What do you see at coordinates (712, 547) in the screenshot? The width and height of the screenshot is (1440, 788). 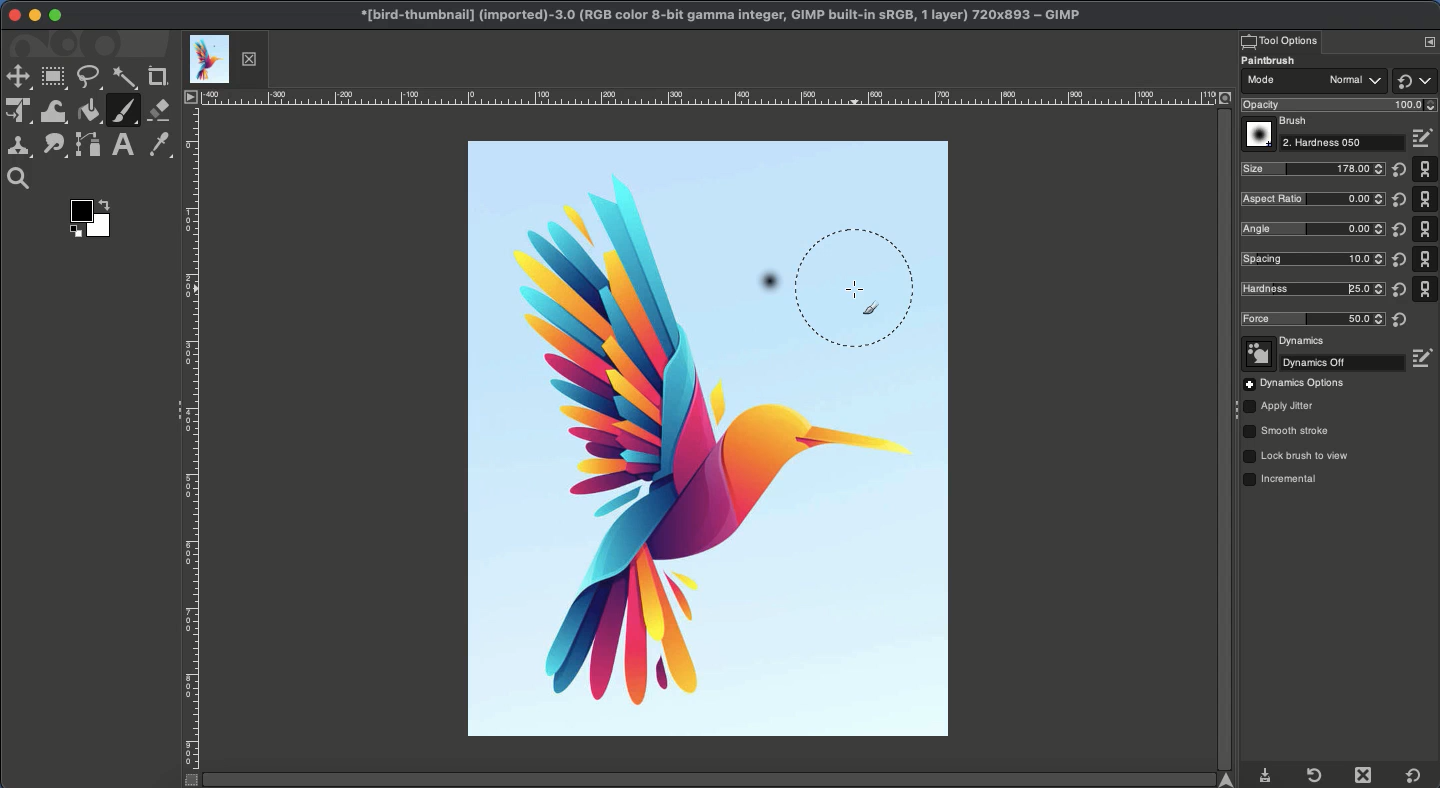 I see `Image` at bounding box center [712, 547].